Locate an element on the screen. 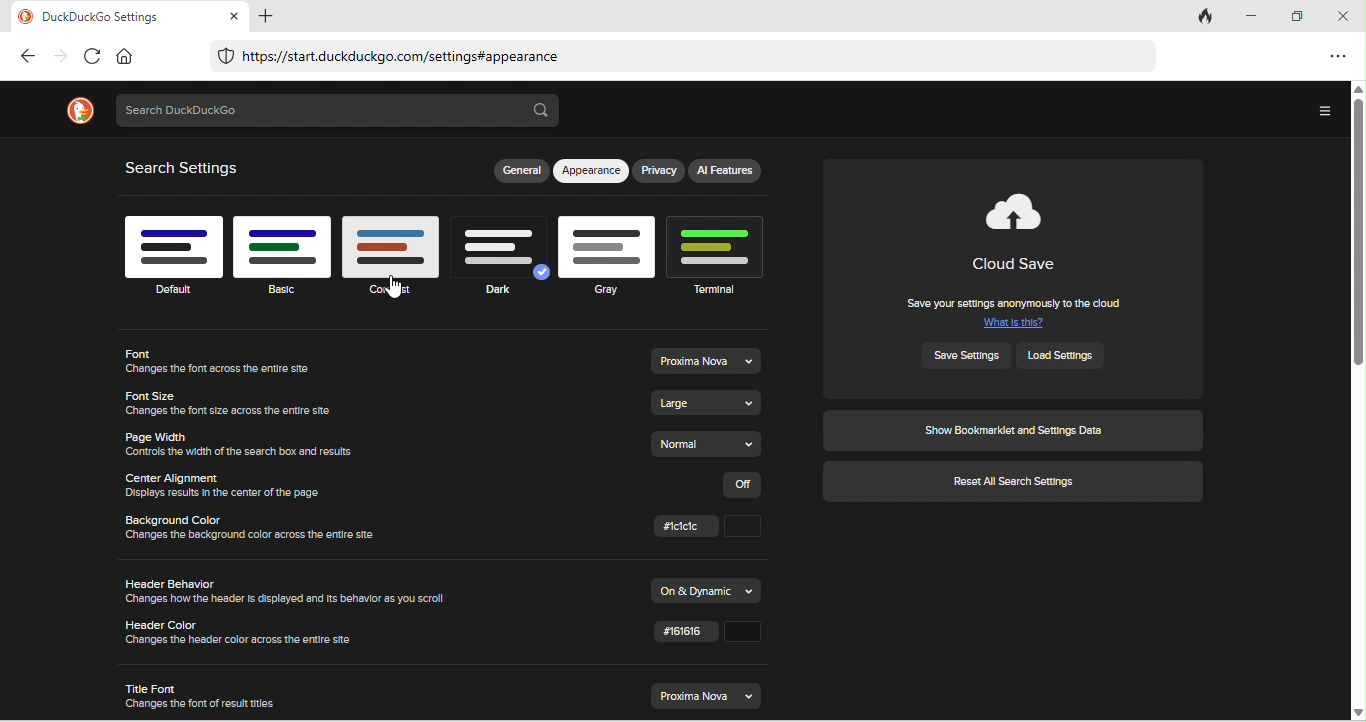 The width and height of the screenshot is (1366, 722). general is located at coordinates (520, 172).